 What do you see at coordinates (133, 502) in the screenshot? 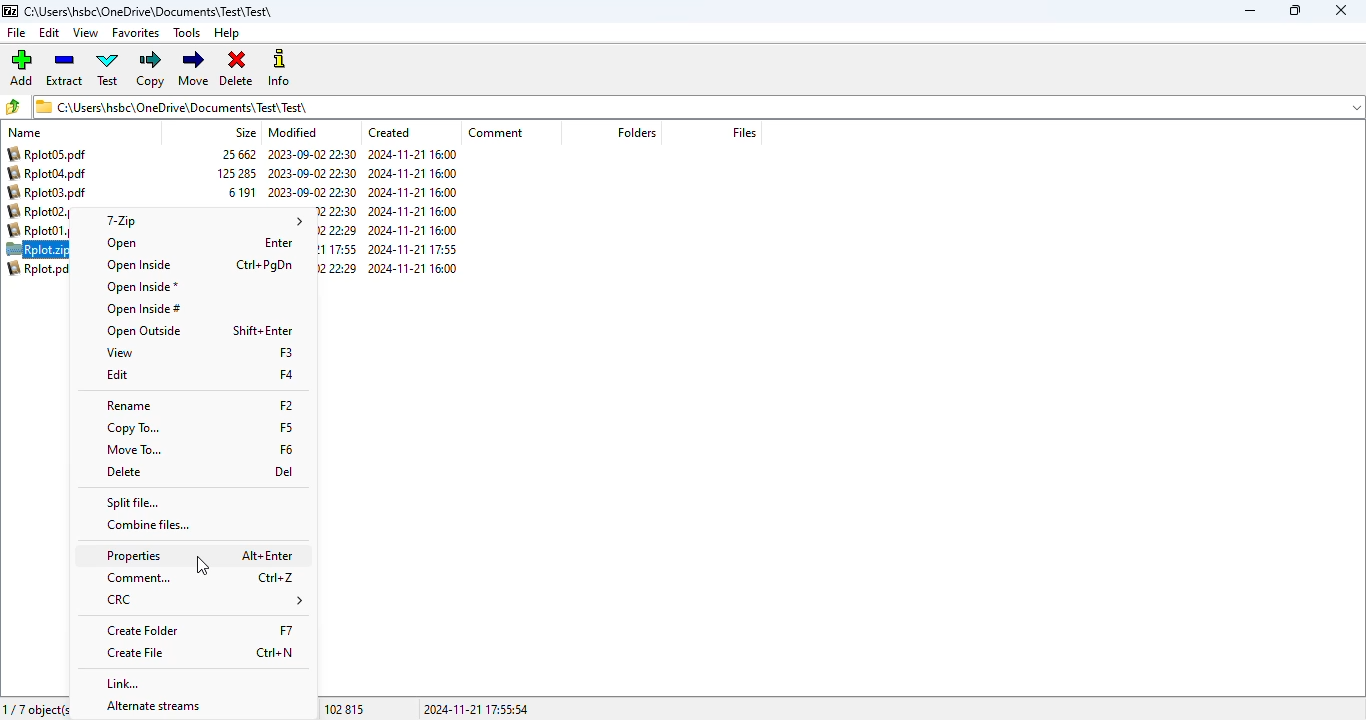
I see `split file` at bounding box center [133, 502].